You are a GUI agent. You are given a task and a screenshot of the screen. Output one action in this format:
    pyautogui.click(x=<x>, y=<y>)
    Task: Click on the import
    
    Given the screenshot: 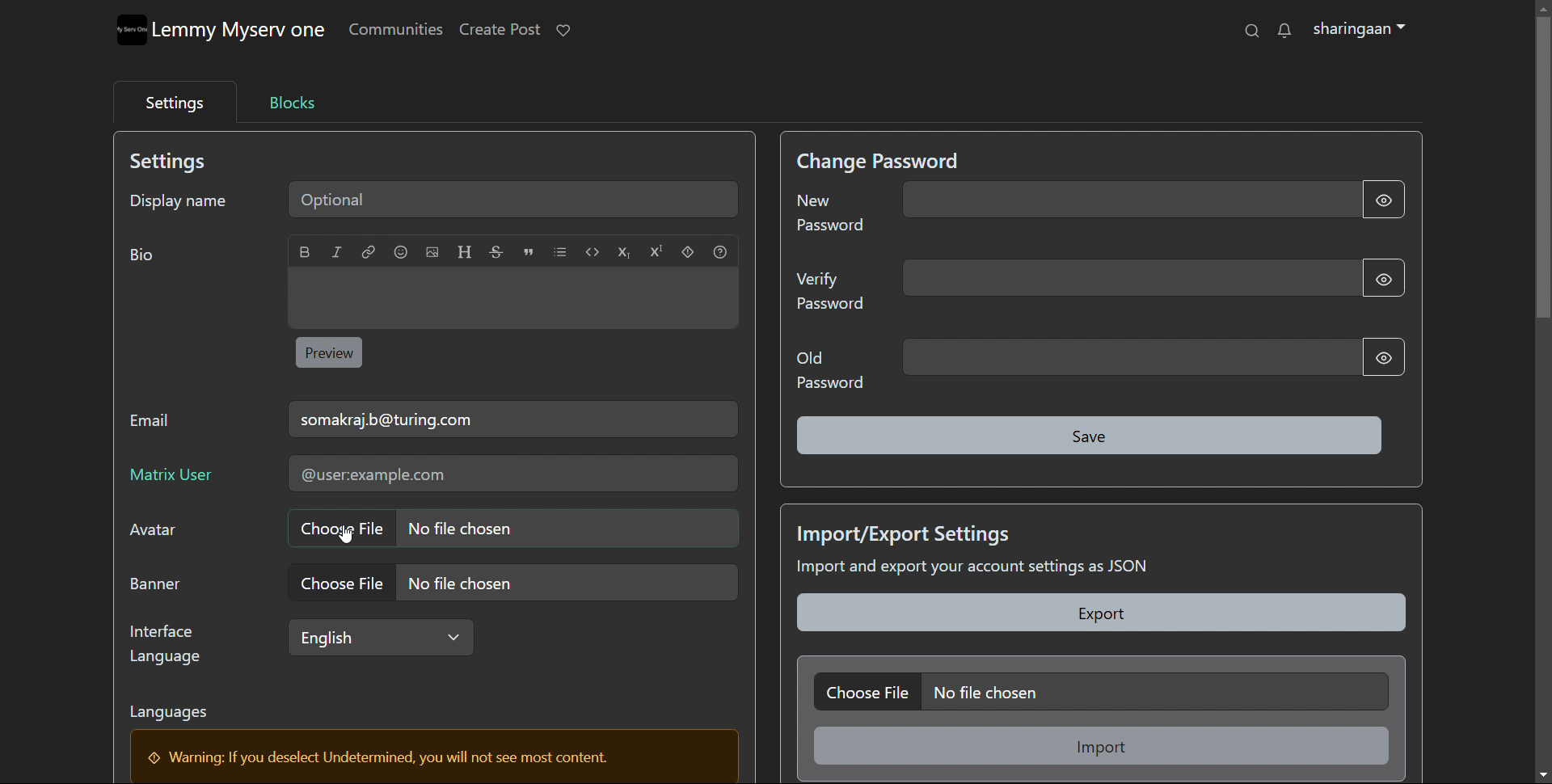 What is the action you would take?
    pyautogui.click(x=1103, y=745)
    